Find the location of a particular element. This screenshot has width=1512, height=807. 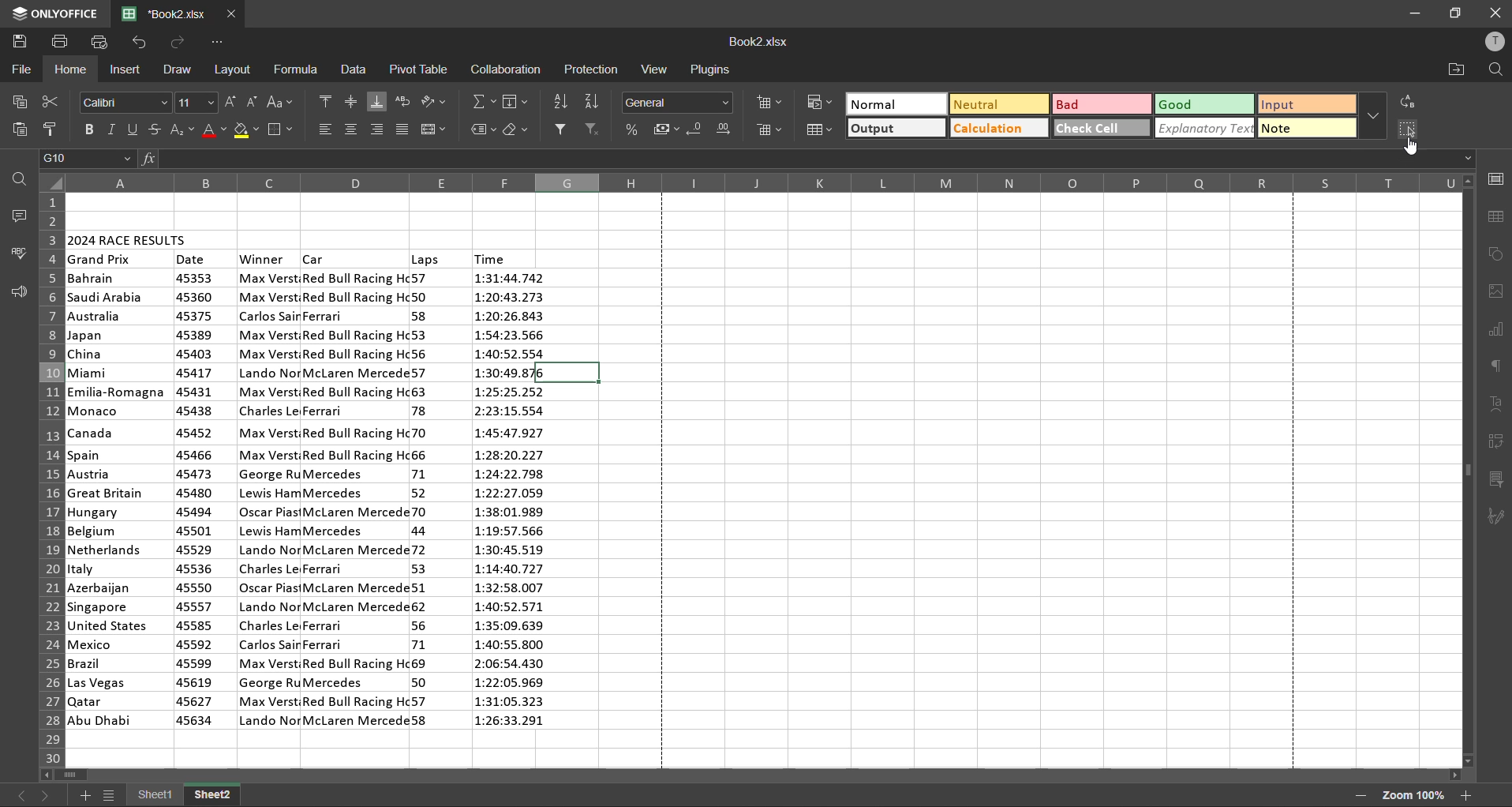

fields is located at coordinates (515, 103).